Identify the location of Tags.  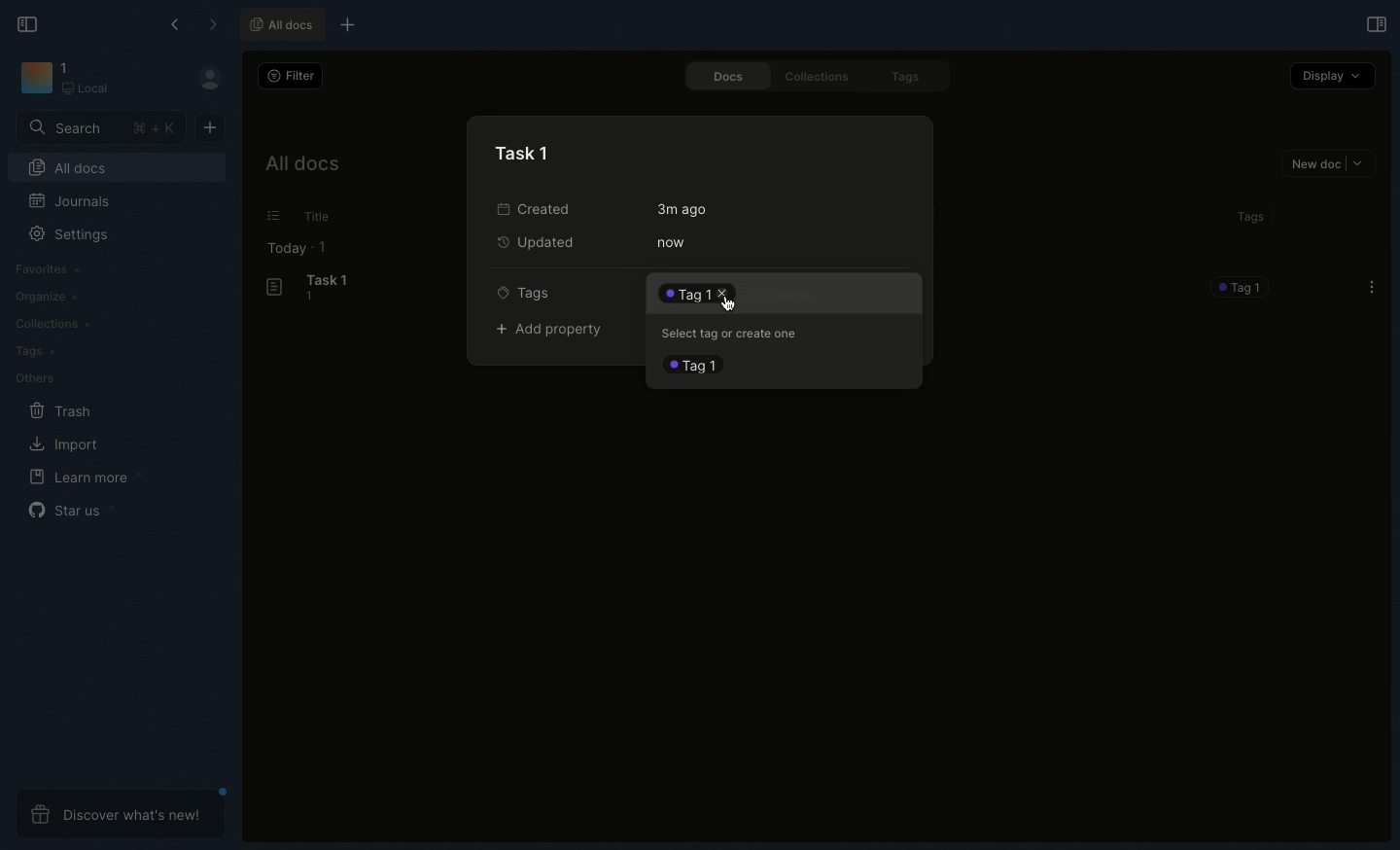
(530, 292).